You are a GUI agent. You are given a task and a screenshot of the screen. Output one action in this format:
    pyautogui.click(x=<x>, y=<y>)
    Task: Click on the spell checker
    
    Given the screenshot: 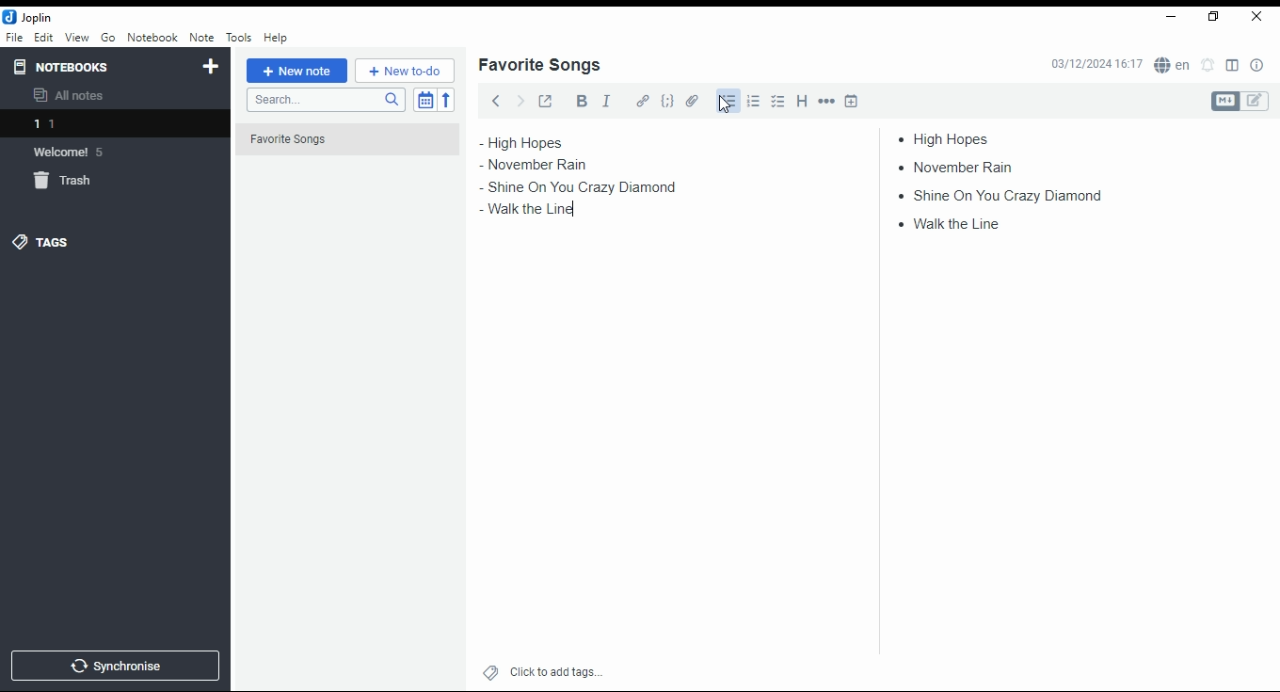 What is the action you would take?
    pyautogui.click(x=1174, y=64)
    